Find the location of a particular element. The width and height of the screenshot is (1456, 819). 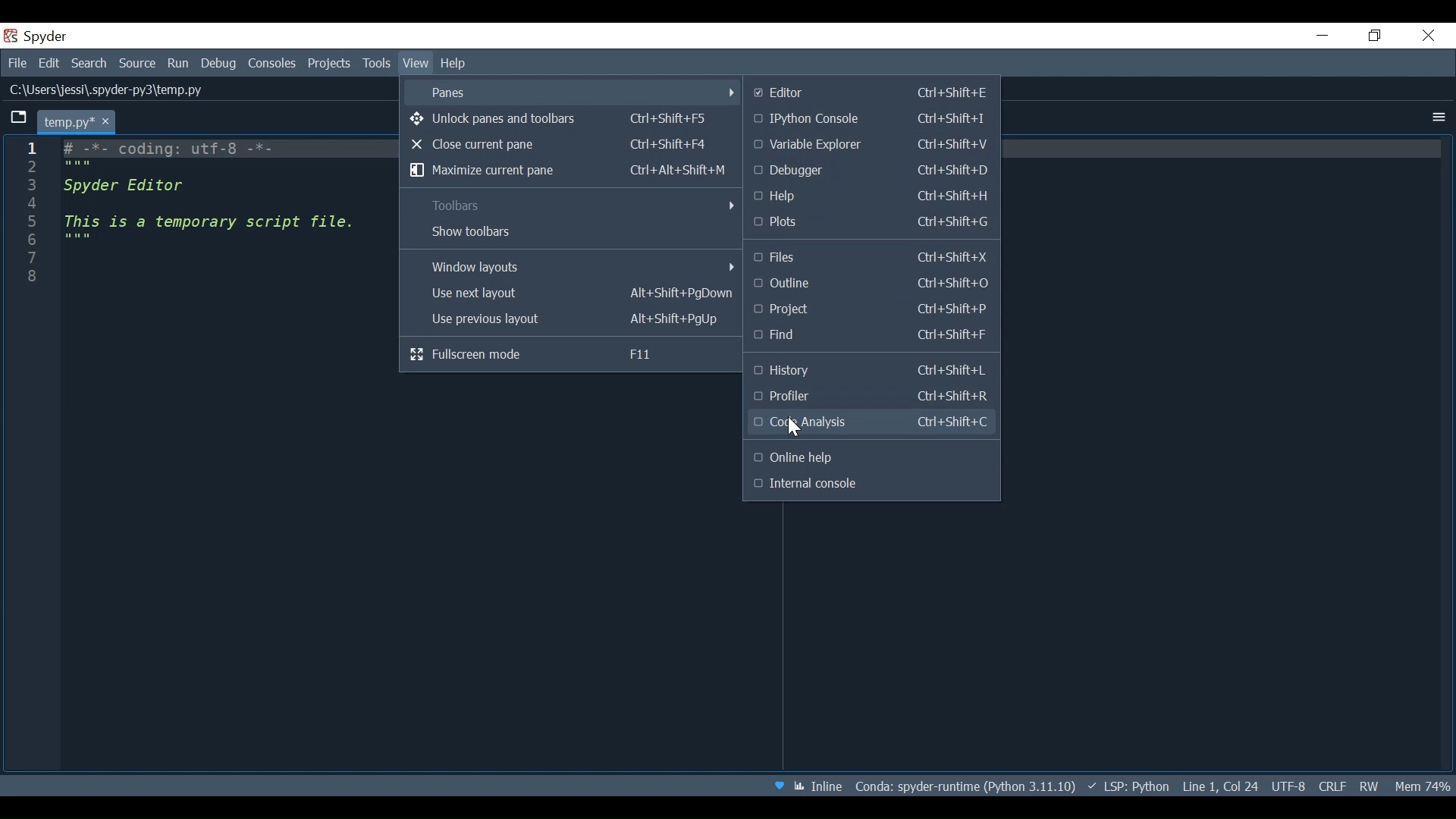

Consoles is located at coordinates (274, 64).